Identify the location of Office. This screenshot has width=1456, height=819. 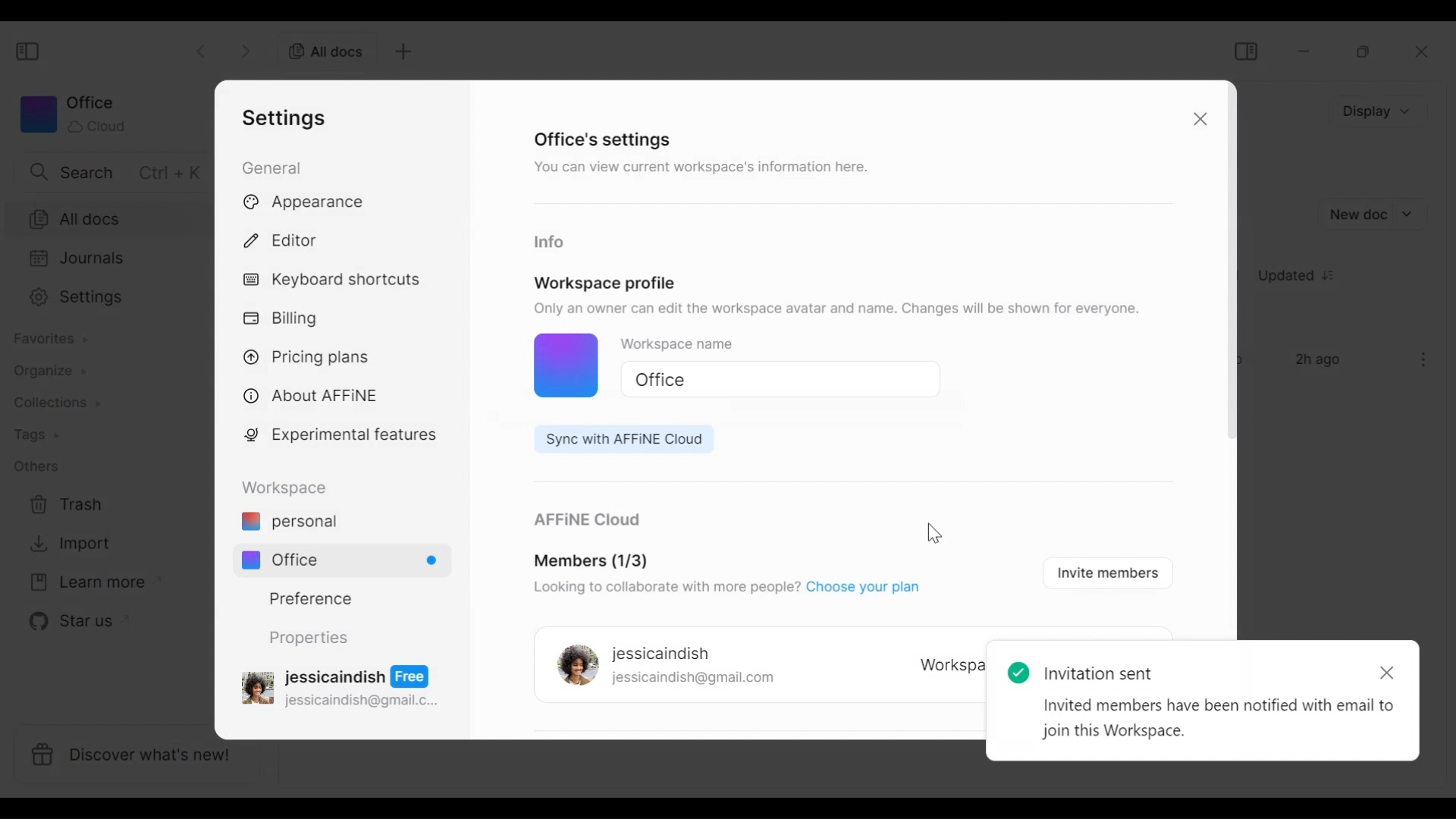
(349, 560).